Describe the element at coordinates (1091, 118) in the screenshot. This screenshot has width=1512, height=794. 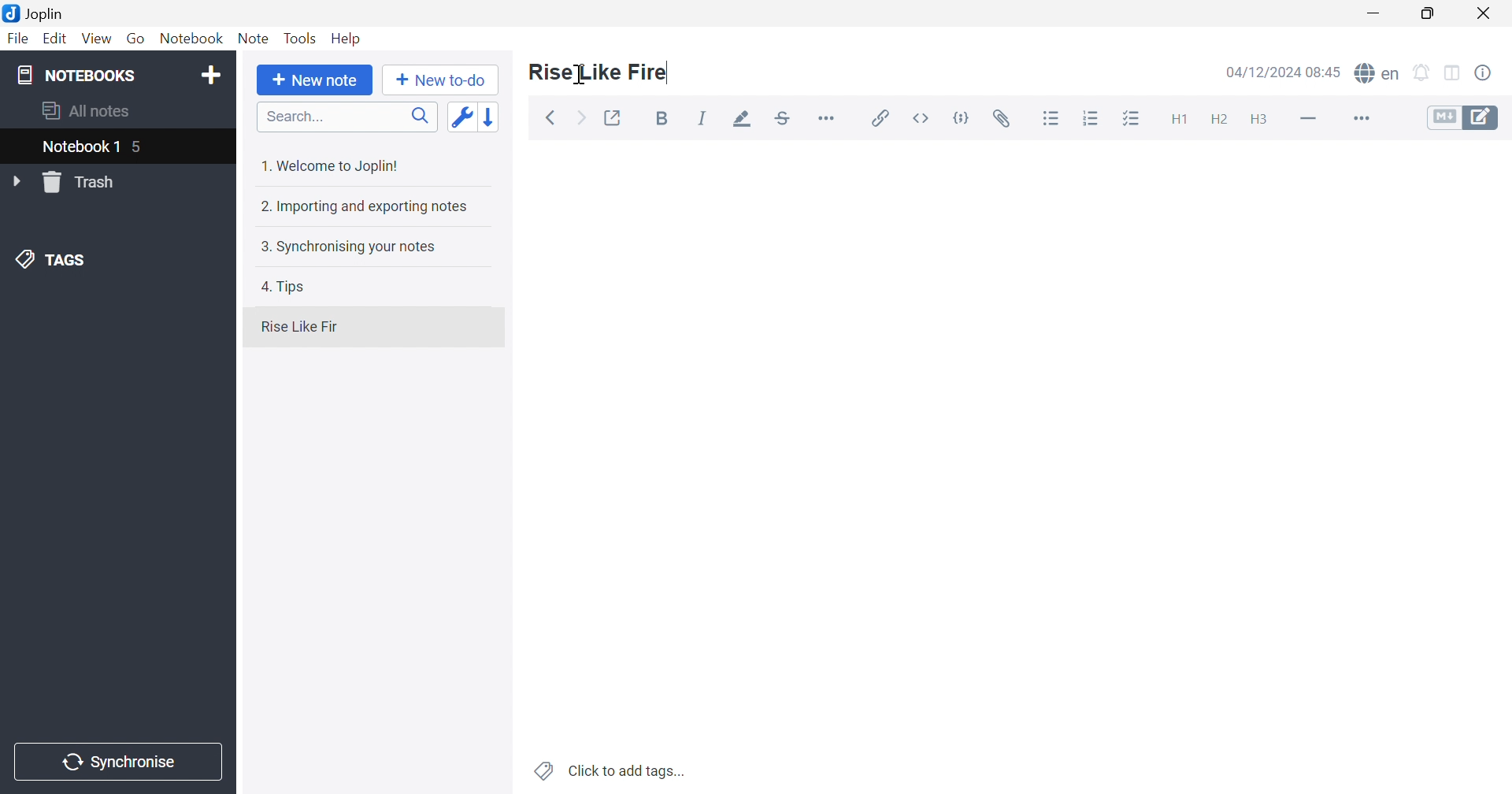
I see `Numbered list` at that location.